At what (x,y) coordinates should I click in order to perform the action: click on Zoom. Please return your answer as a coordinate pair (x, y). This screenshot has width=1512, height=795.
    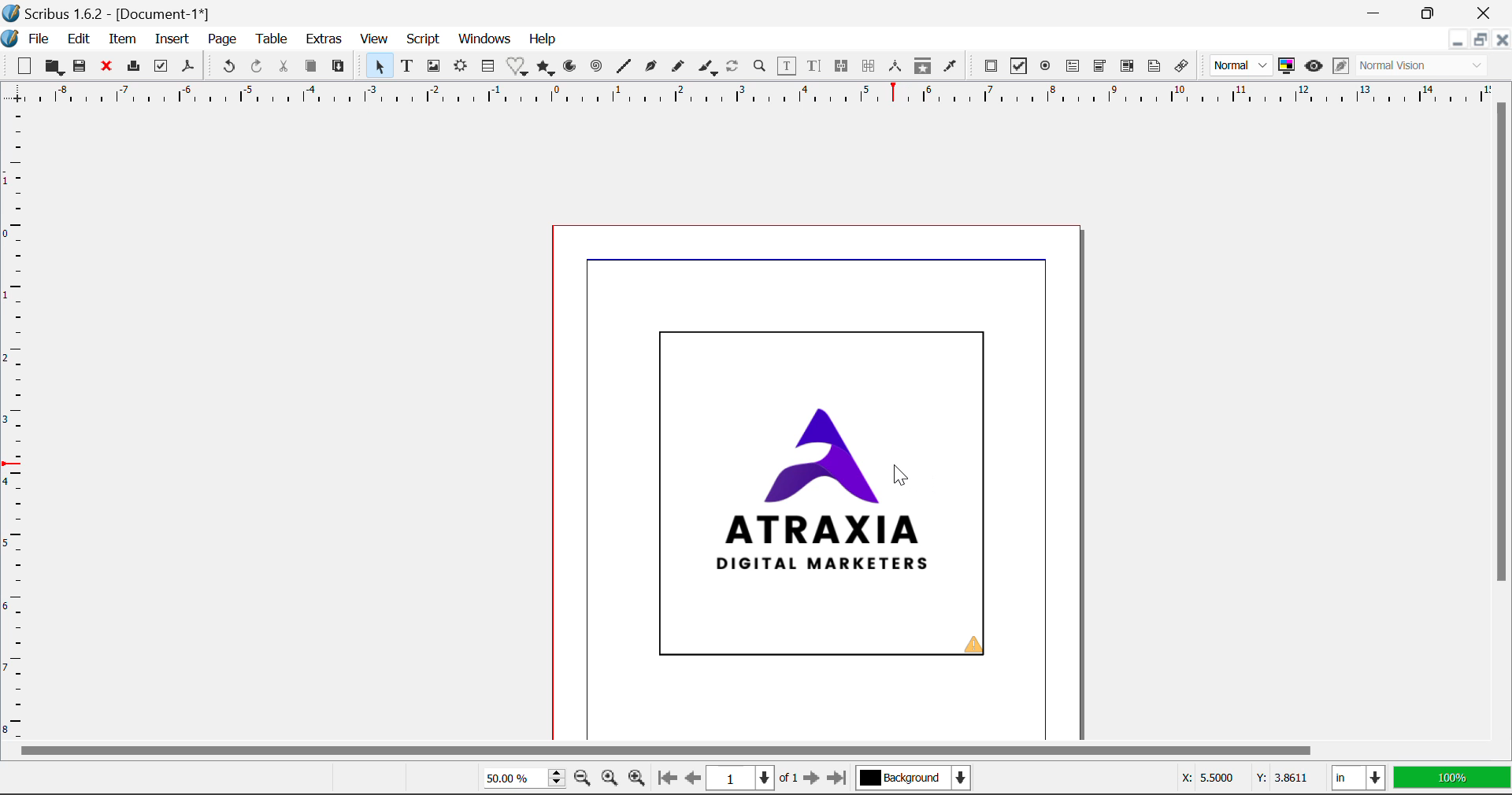
    Looking at the image, I should click on (762, 68).